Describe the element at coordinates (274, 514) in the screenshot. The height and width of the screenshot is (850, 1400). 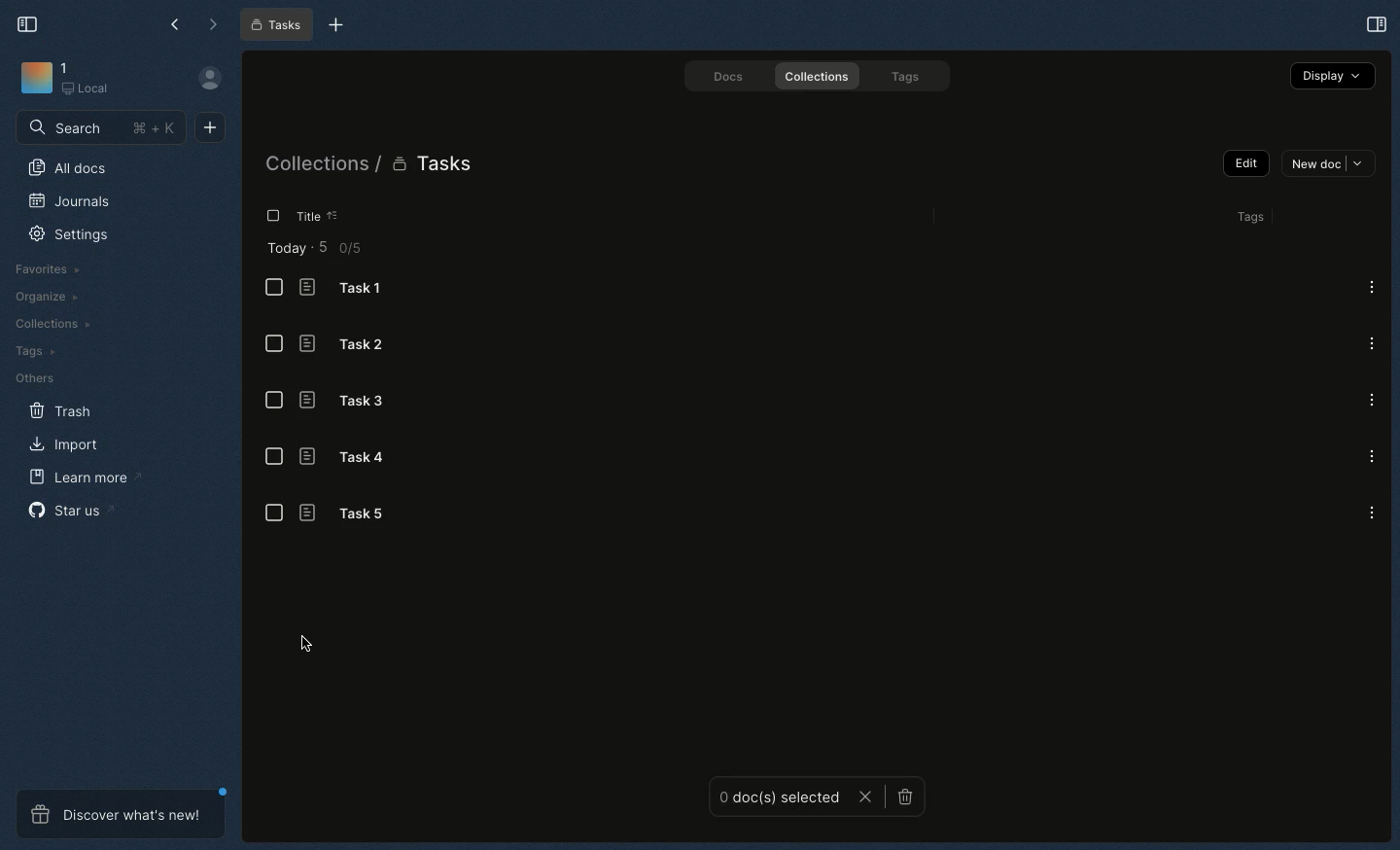
I see `List view` at that location.